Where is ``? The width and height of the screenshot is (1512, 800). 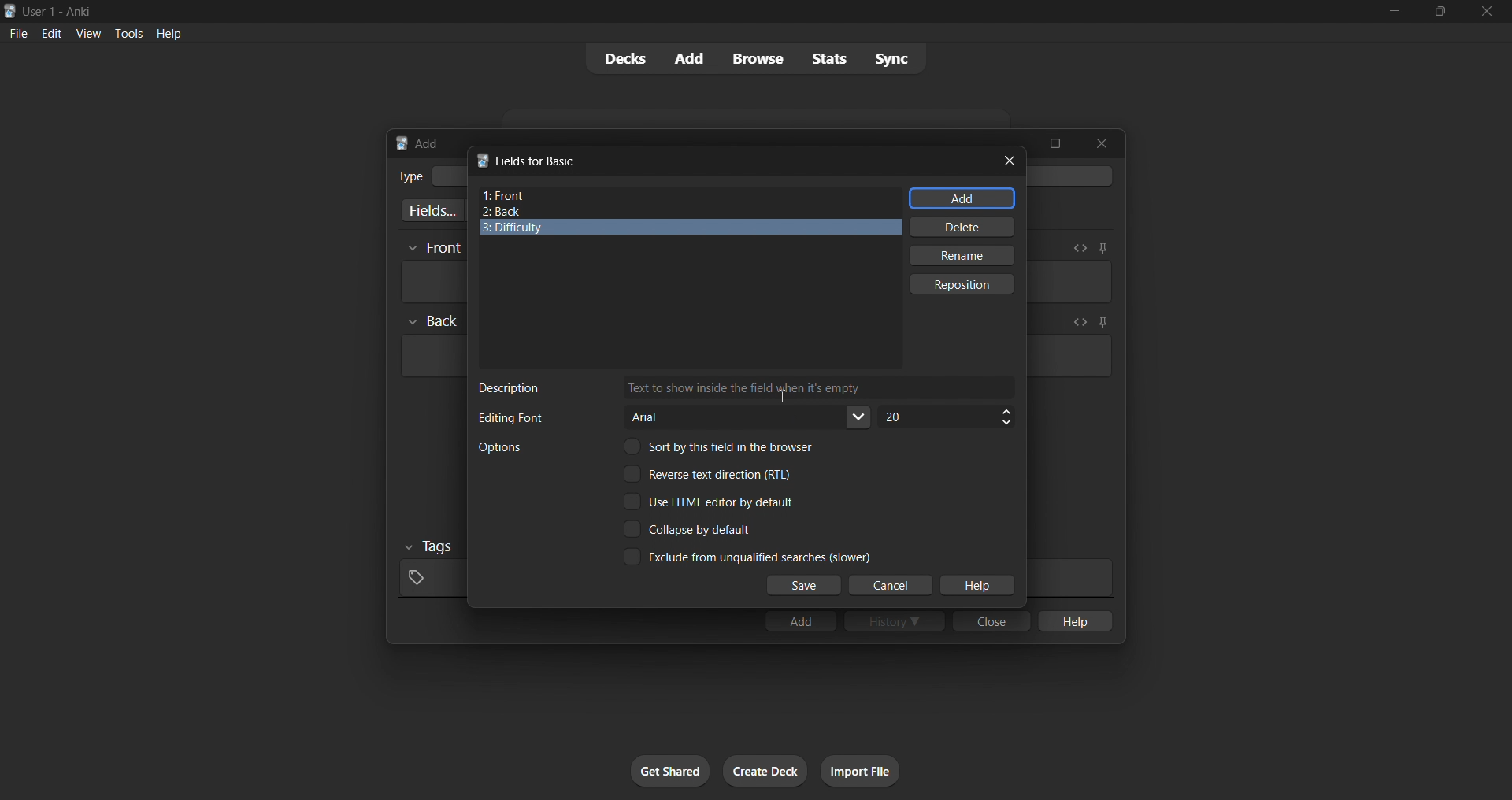  is located at coordinates (434, 249).